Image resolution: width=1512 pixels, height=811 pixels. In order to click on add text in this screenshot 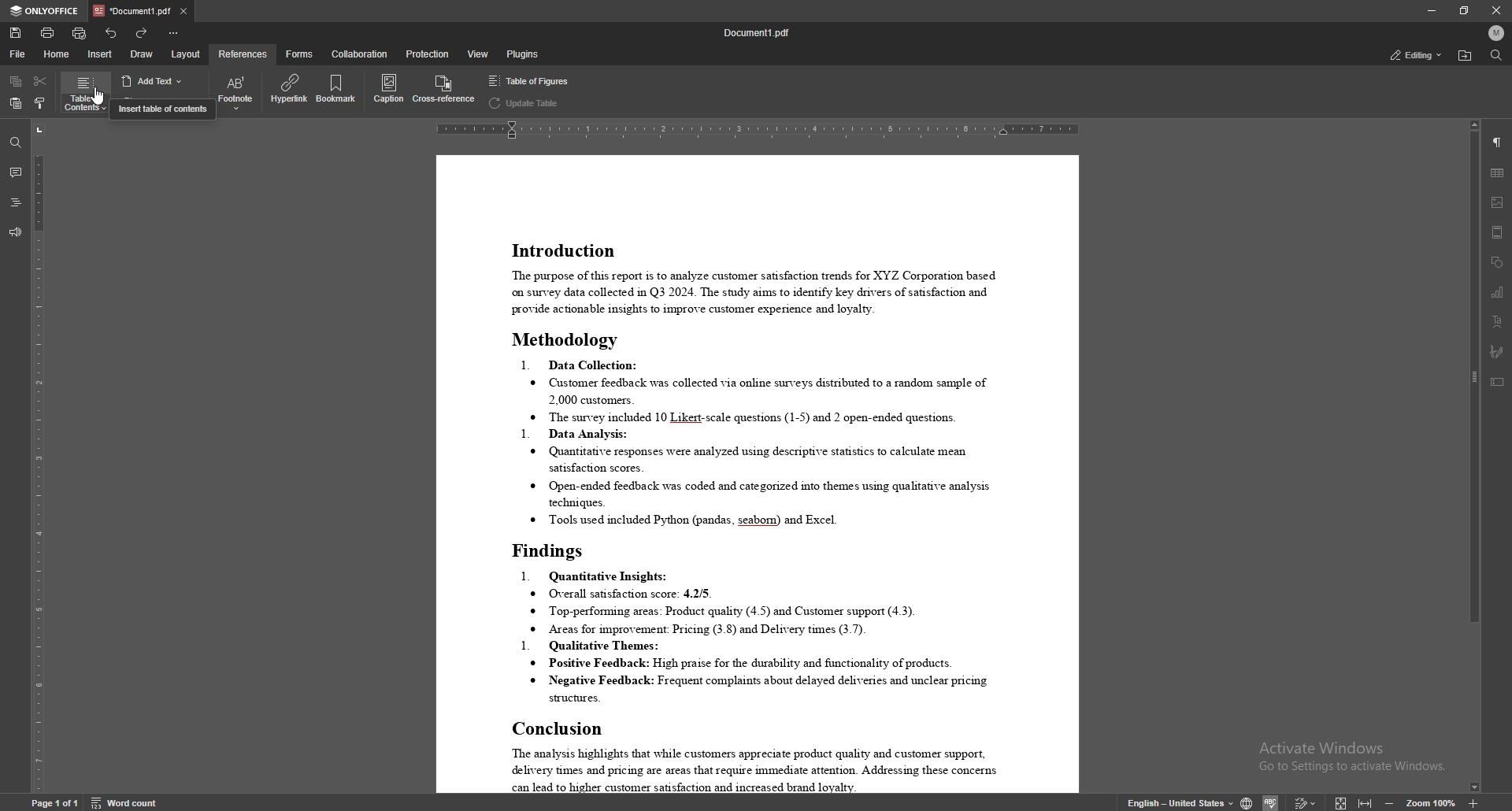, I will do `click(155, 80)`.